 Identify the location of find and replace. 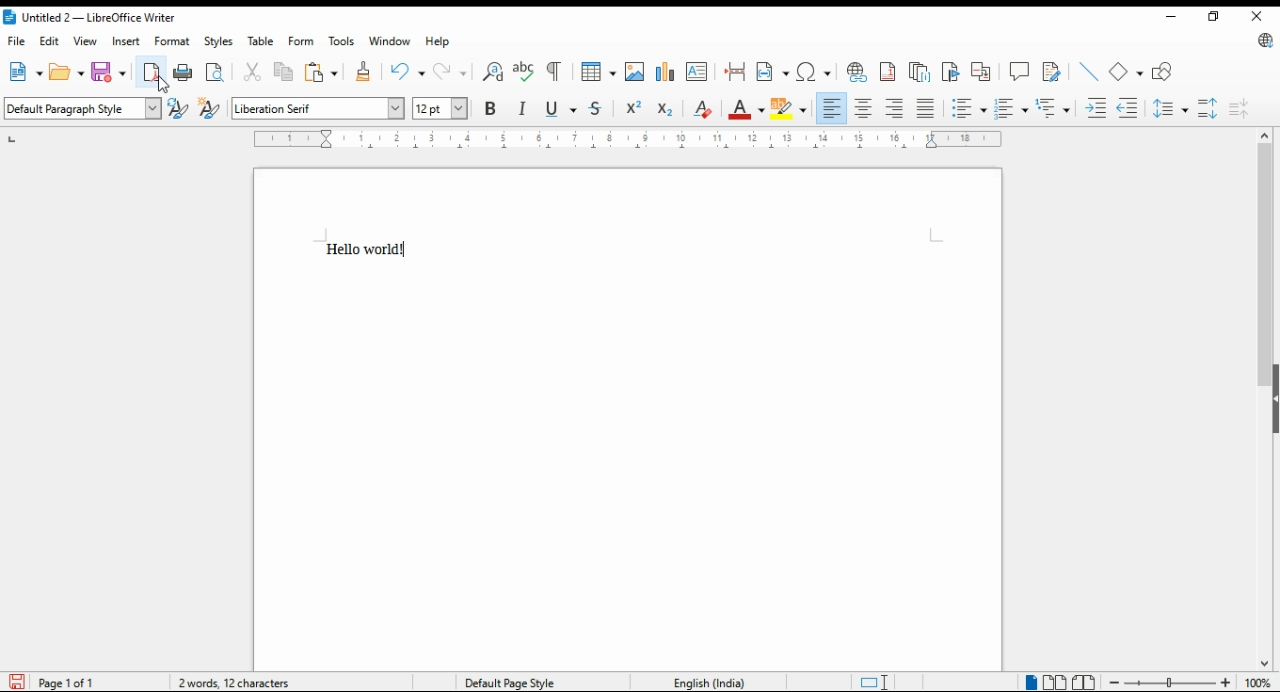
(490, 71).